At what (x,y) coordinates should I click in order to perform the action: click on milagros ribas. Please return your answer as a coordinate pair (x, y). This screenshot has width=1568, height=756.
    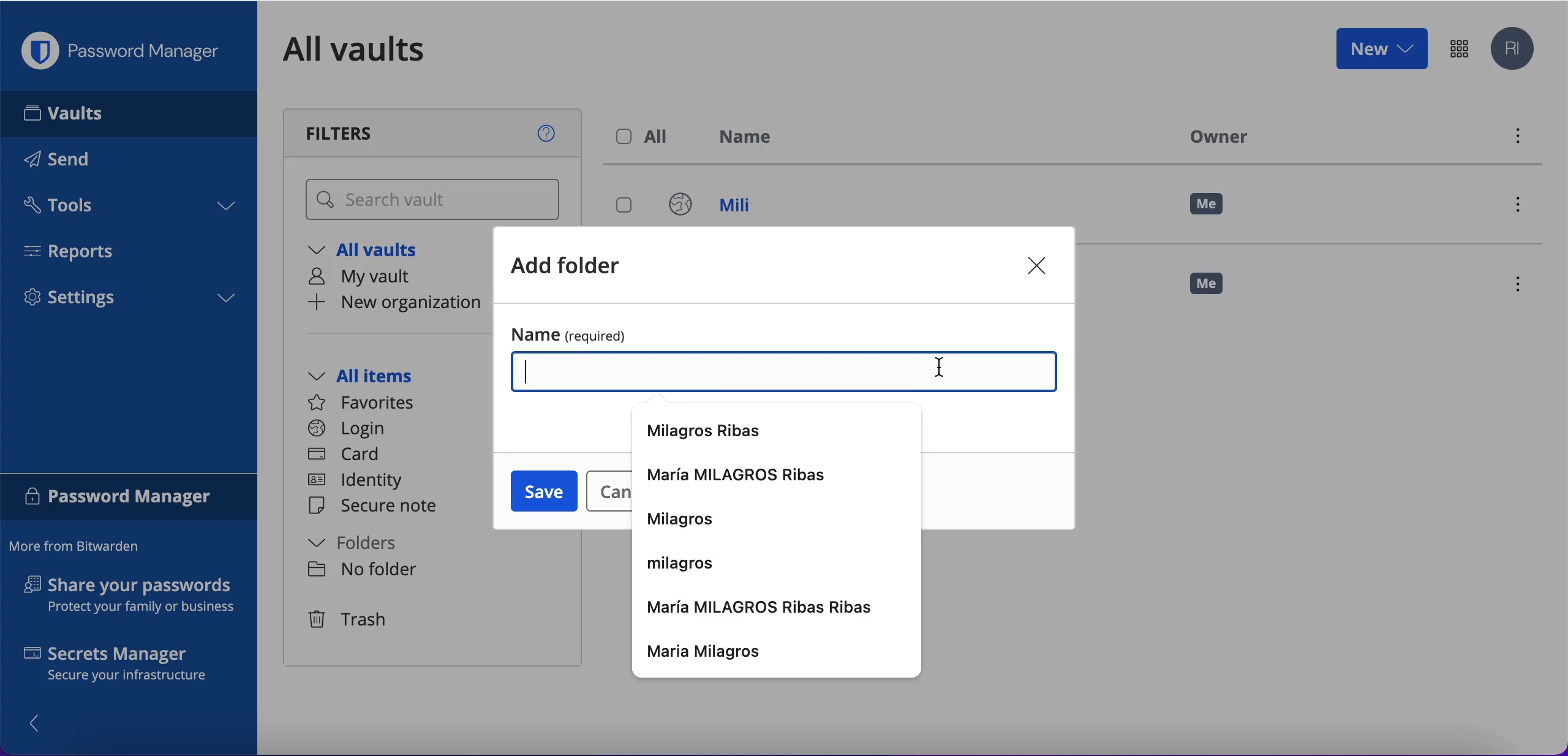
    Looking at the image, I should click on (713, 431).